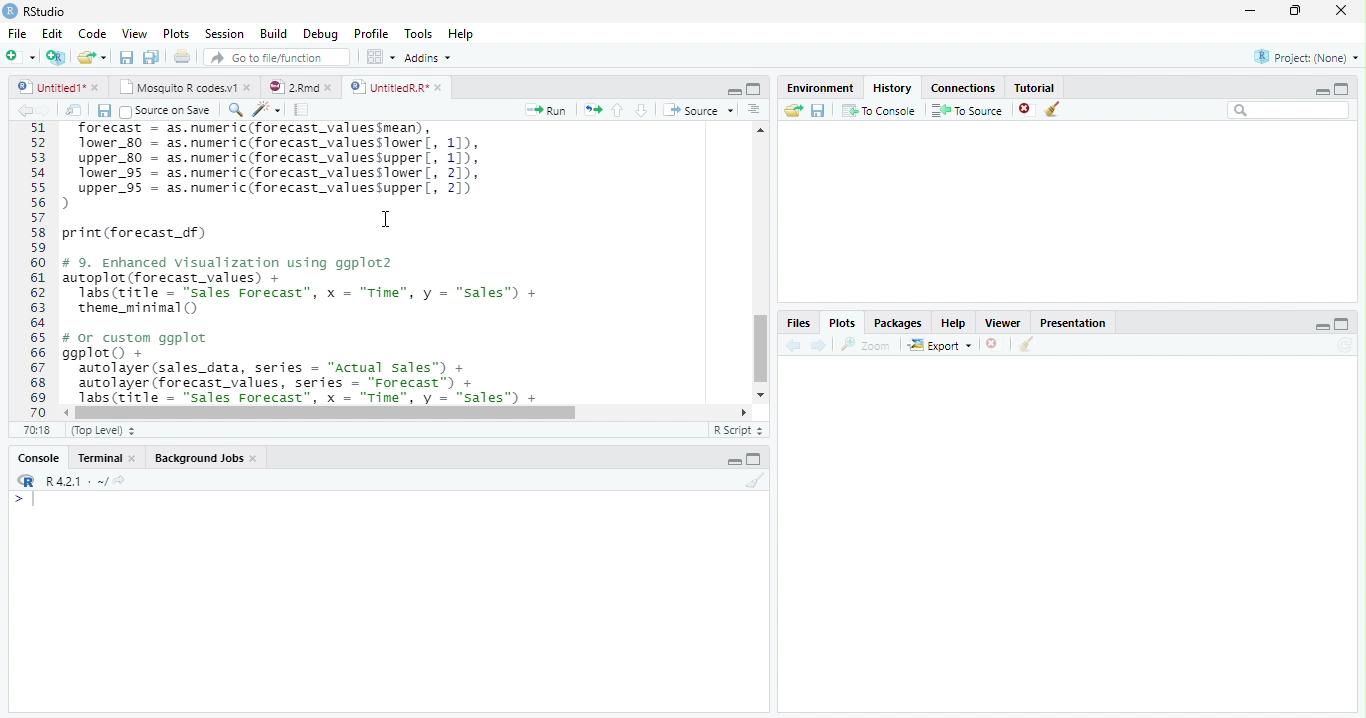 The image size is (1366, 718). What do you see at coordinates (759, 262) in the screenshot?
I see `Scroll ` at bounding box center [759, 262].